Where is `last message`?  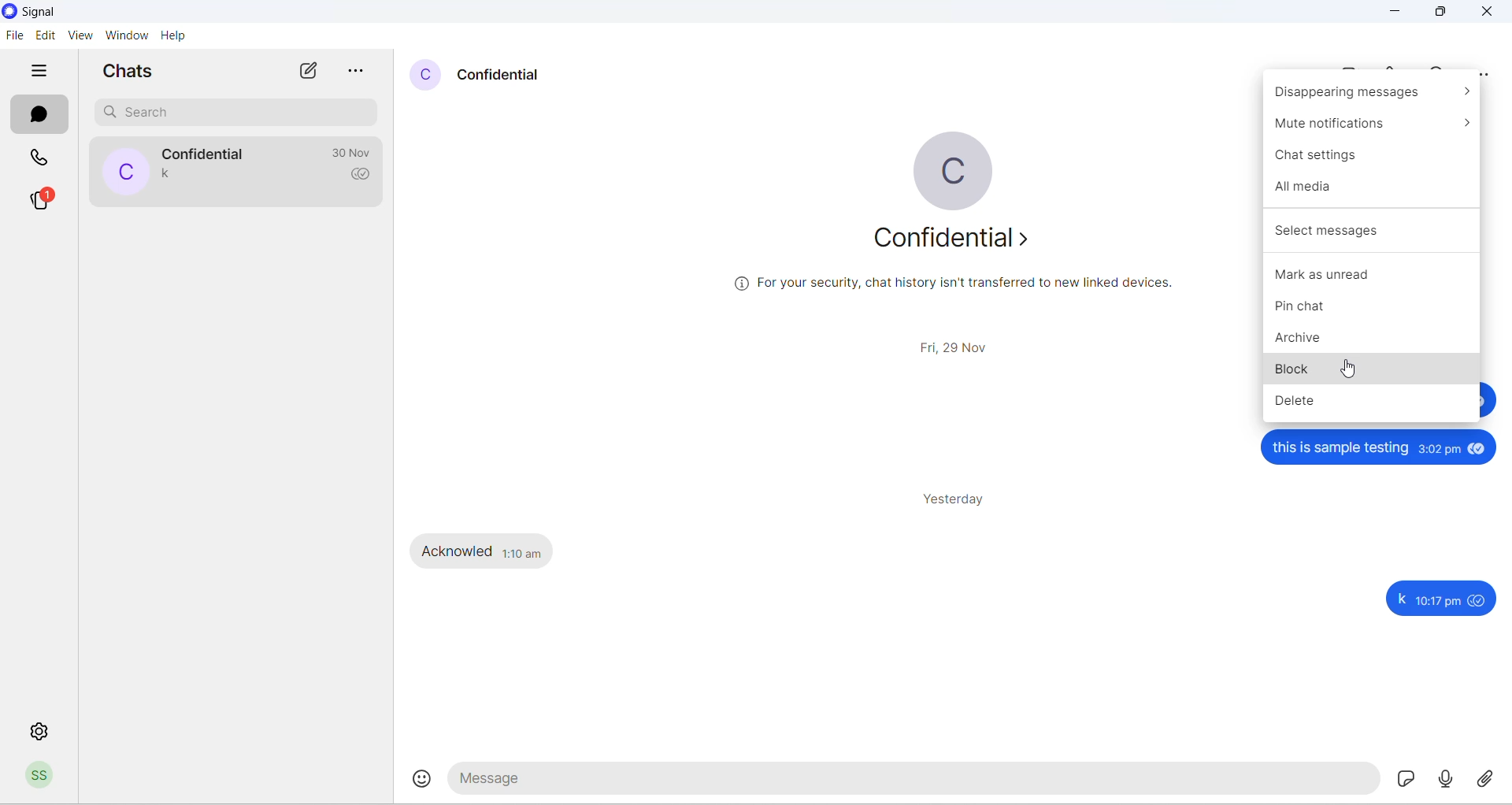 last message is located at coordinates (176, 180).